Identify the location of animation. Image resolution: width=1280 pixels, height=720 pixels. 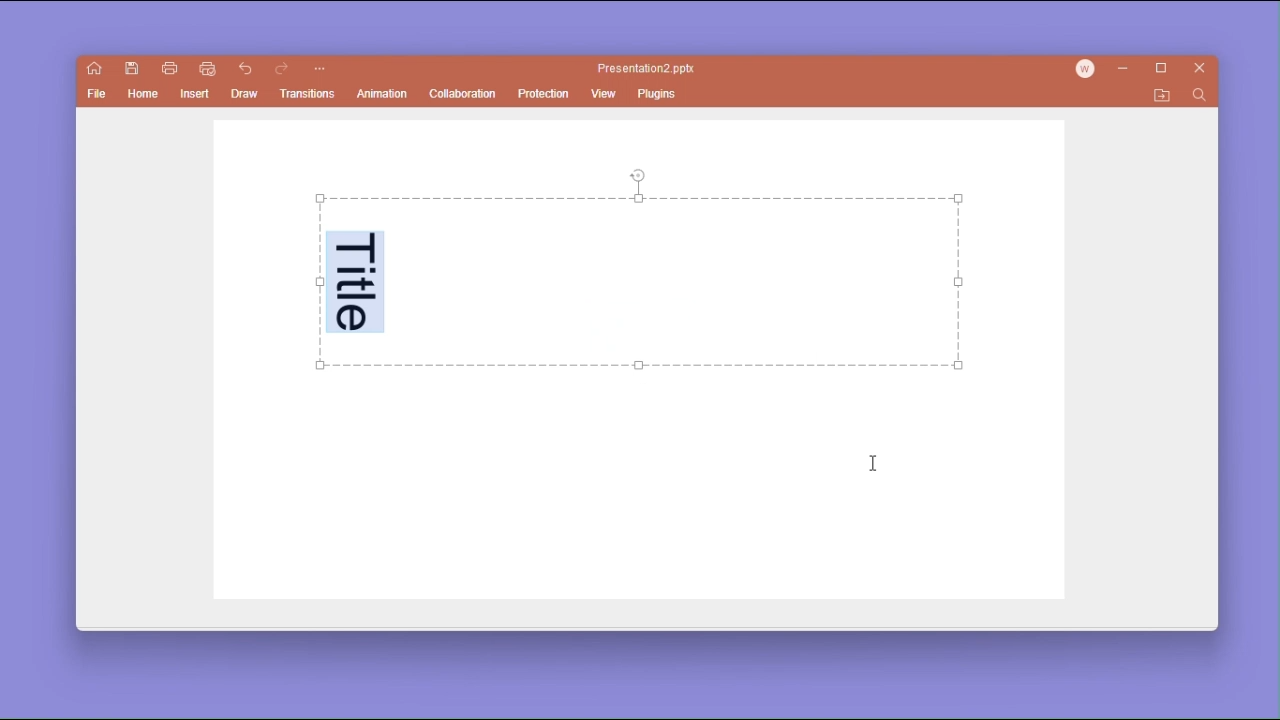
(383, 95).